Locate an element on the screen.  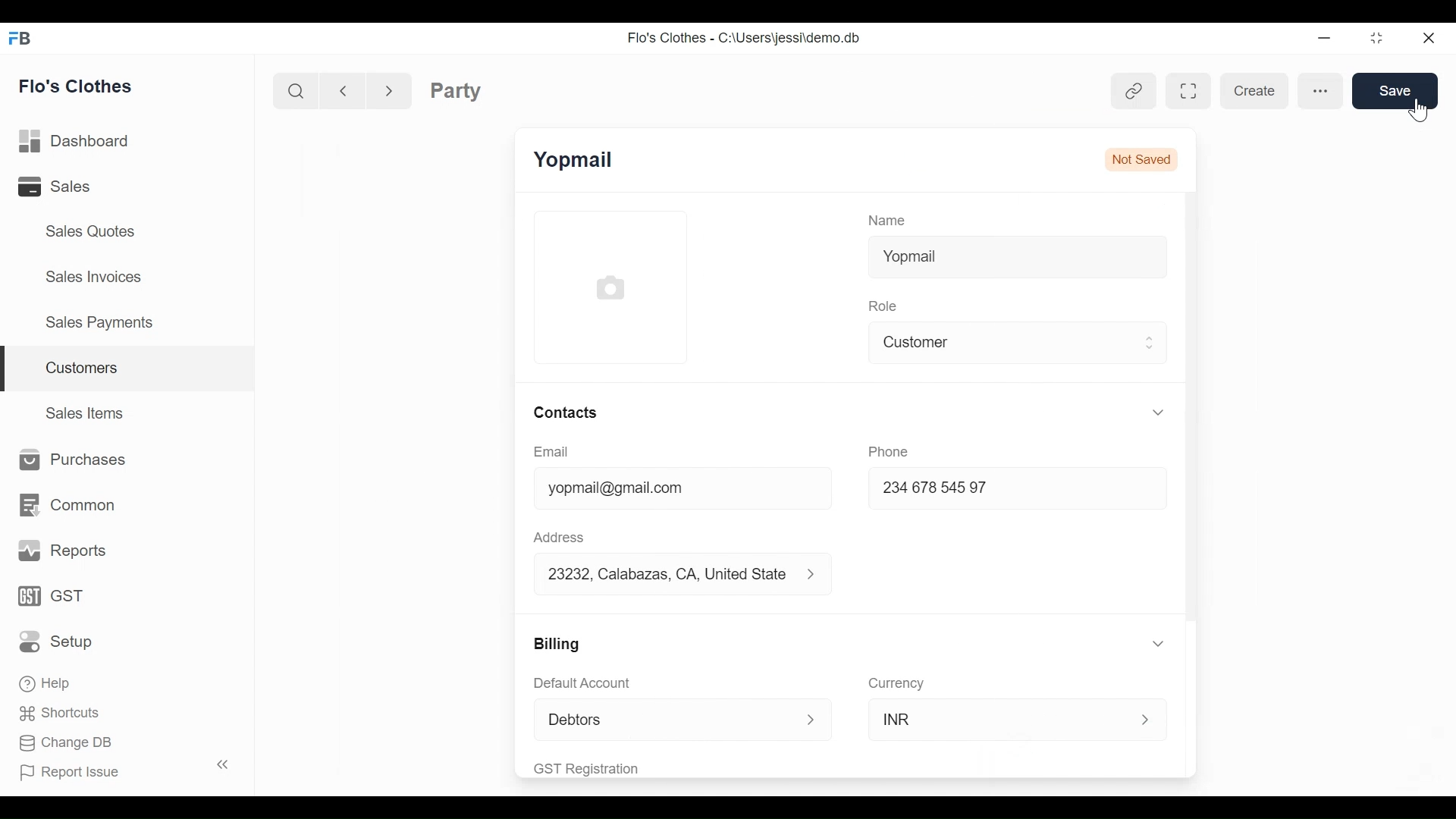
Flo's Clothes is located at coordinates (78, 86).